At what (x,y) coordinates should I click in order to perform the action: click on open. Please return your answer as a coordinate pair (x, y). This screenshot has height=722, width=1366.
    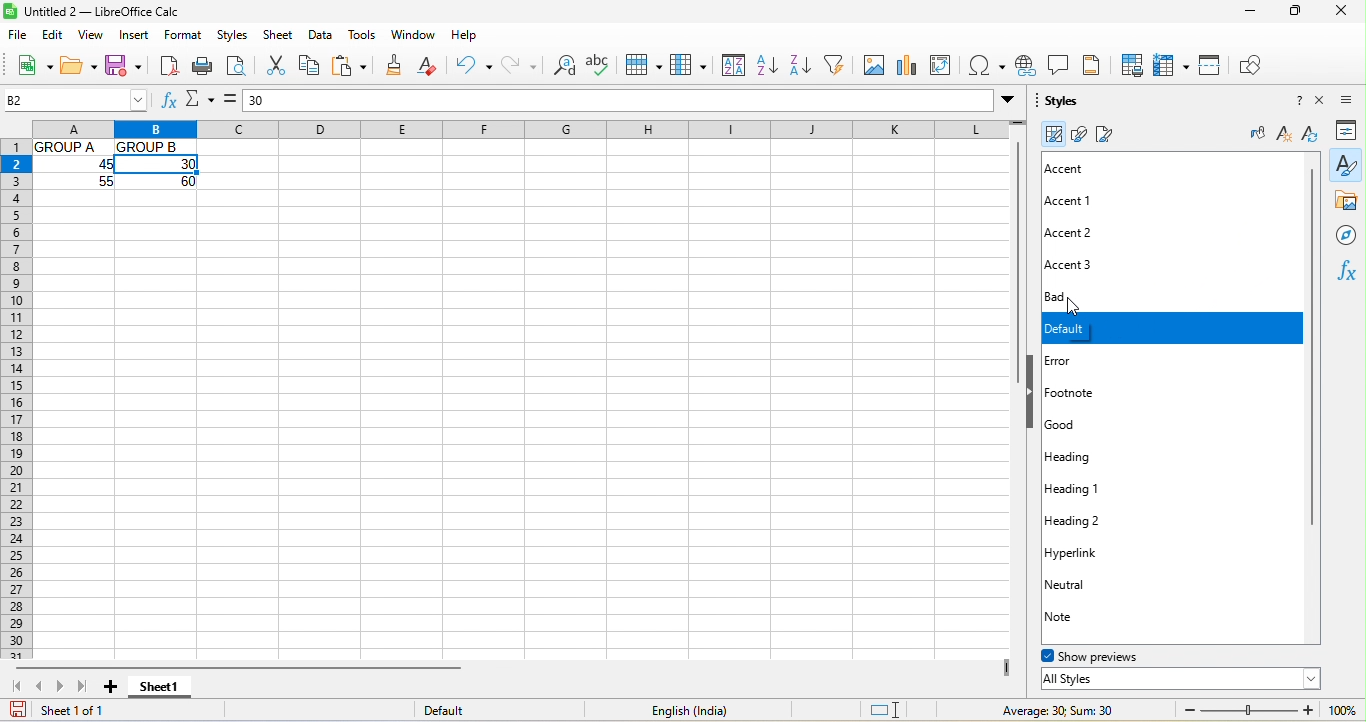
    Looking at the image, I should click on (79, 65).